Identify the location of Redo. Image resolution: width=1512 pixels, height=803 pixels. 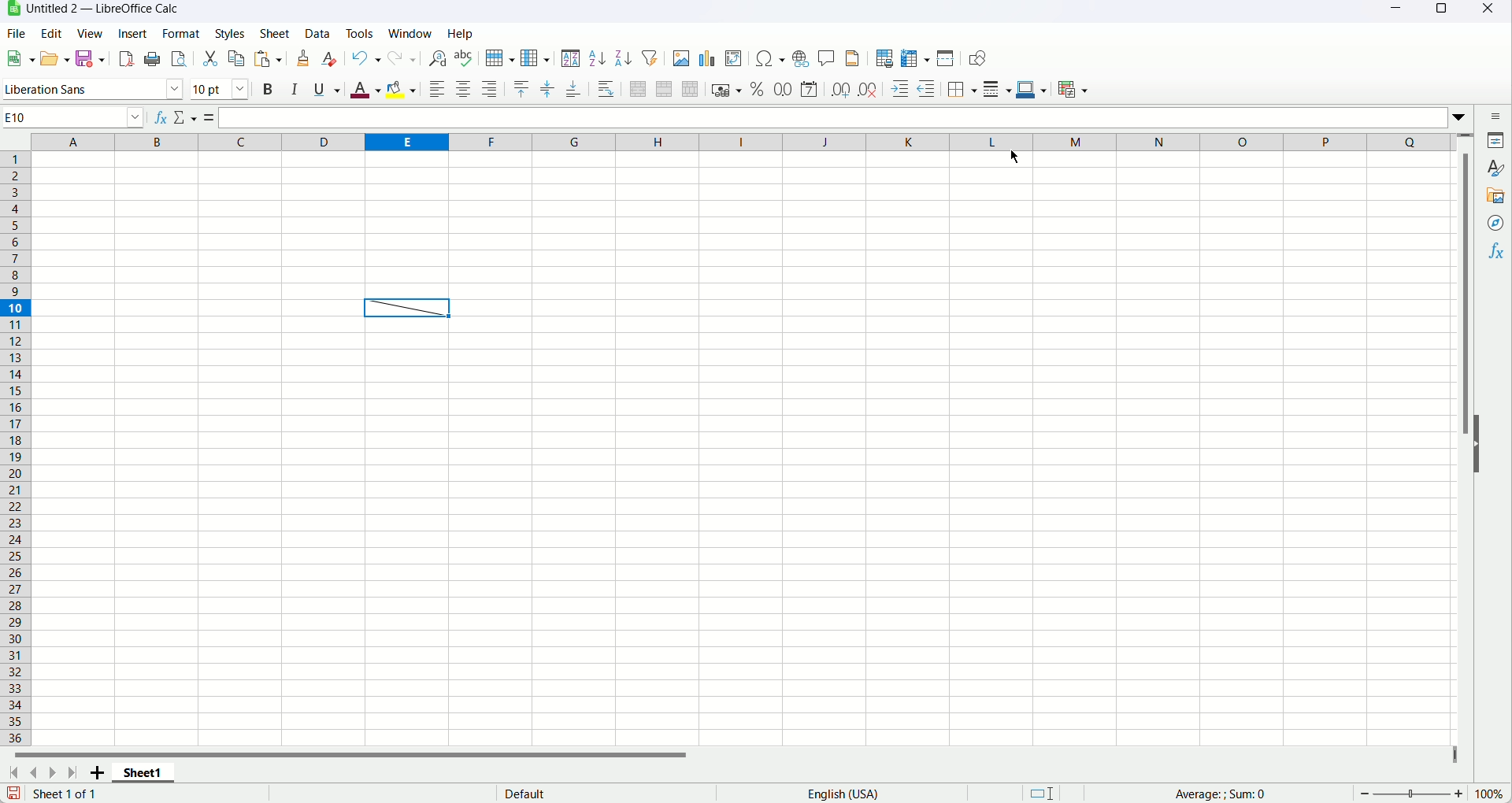
(404, 58).